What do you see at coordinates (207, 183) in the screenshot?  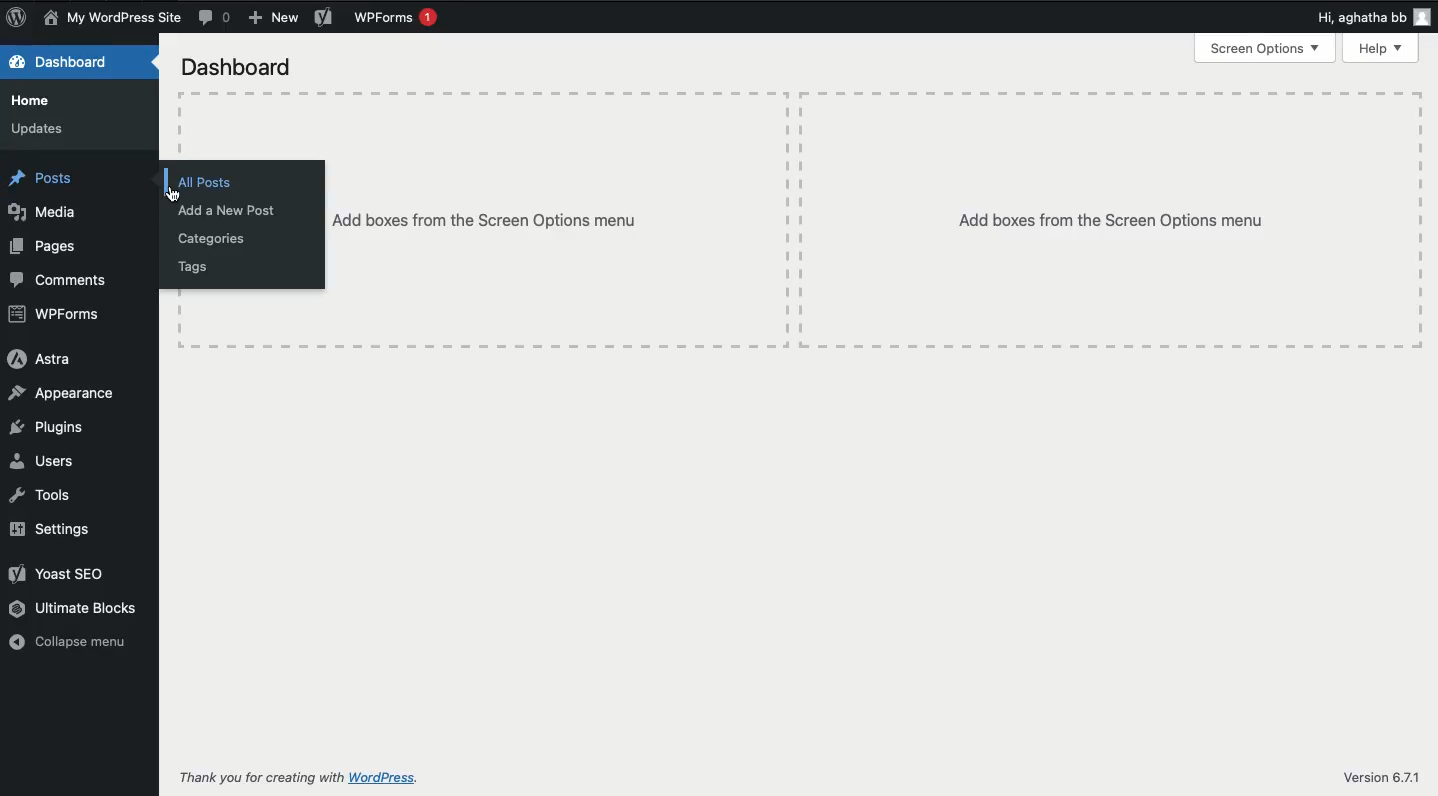 I see `All posts` at bounding box center [207, 183].